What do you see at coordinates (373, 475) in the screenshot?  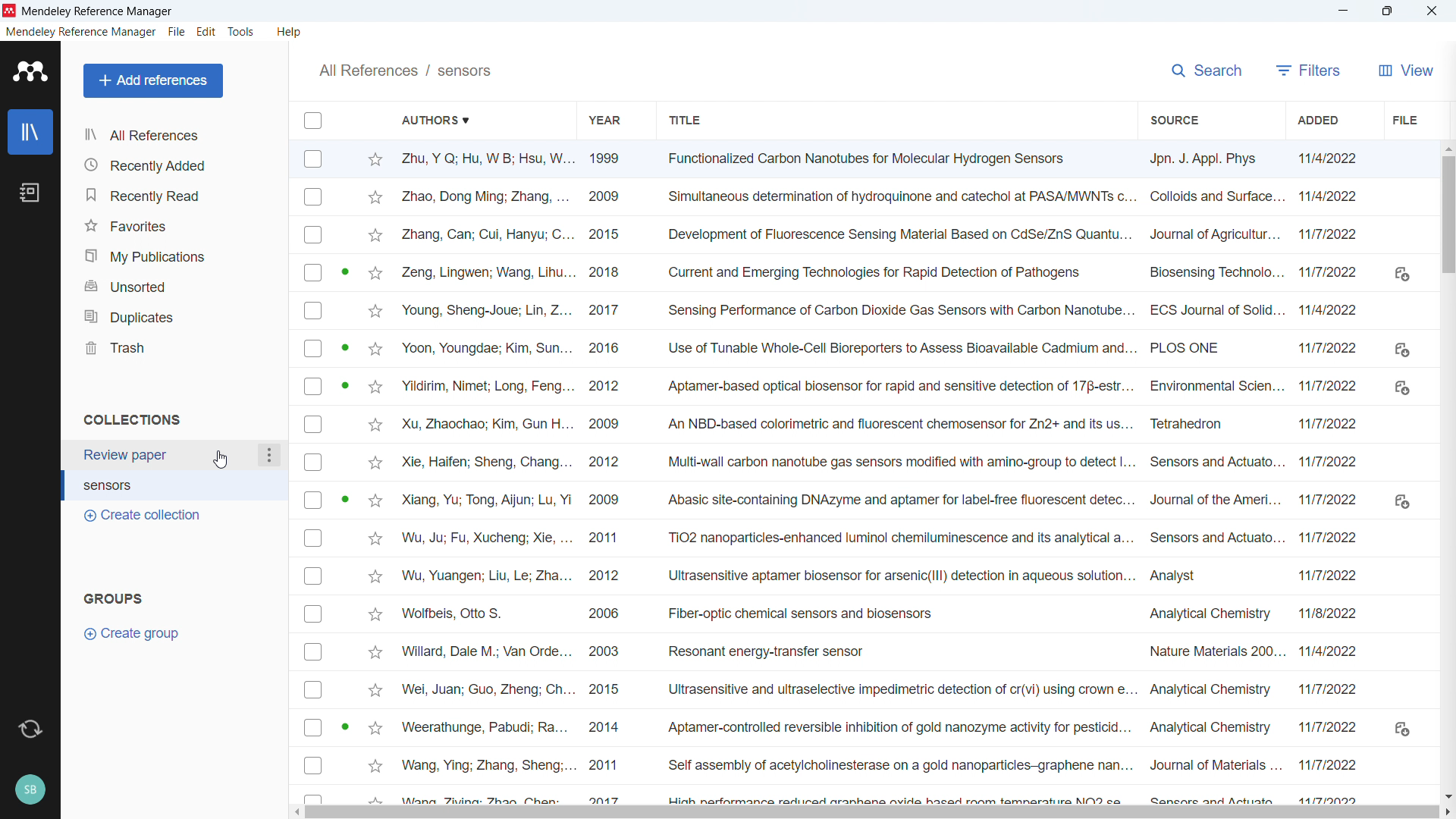 I see `Star Mark Individual entries ` at bounding box center [373, 475].